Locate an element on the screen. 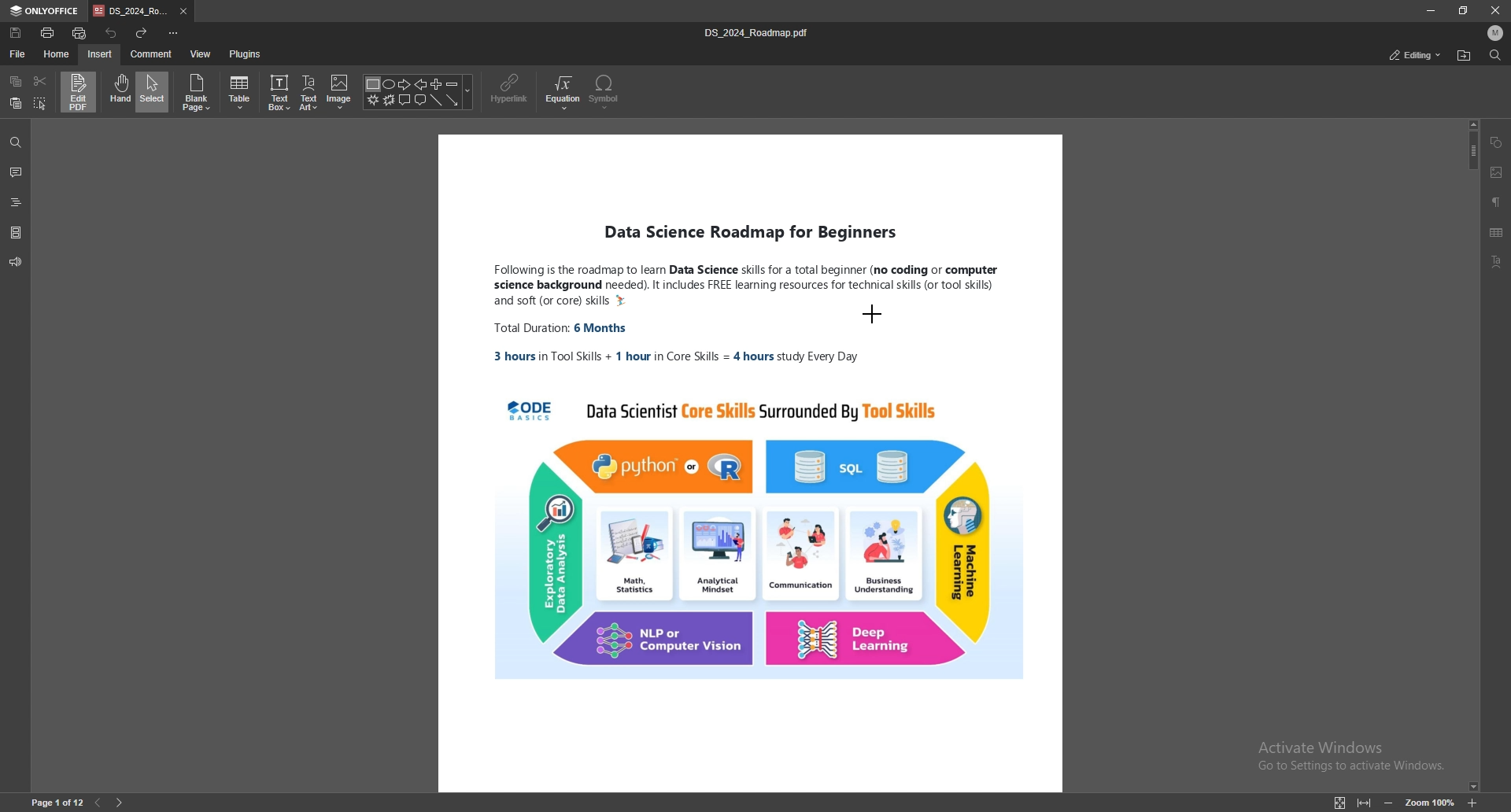 The height and width of the screenshot is (812, 1511). shapes is located at coordinates (419, 93).